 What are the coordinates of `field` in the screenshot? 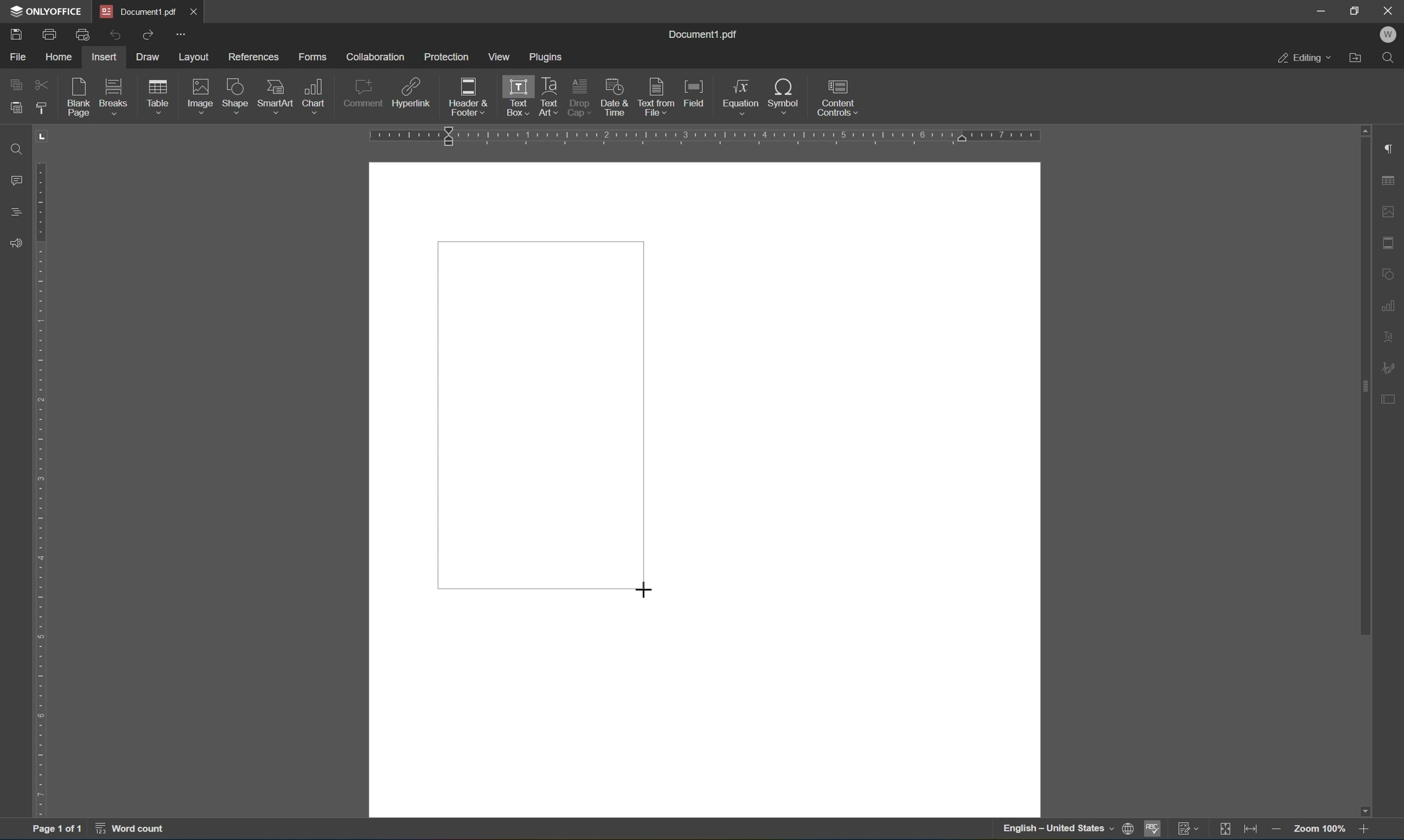 It's located at (695, 93).